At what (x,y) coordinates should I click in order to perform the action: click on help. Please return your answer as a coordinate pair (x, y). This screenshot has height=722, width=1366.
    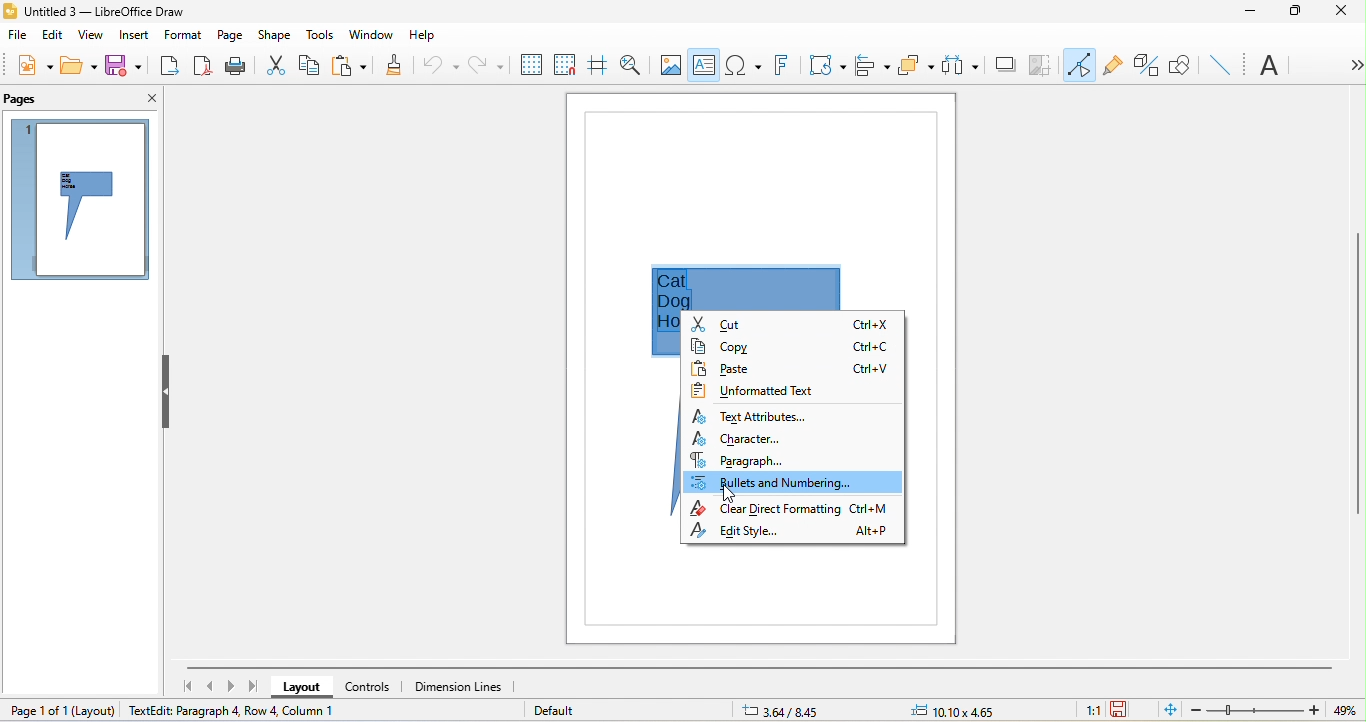
    Looking at the image, I should click on (422, 33).